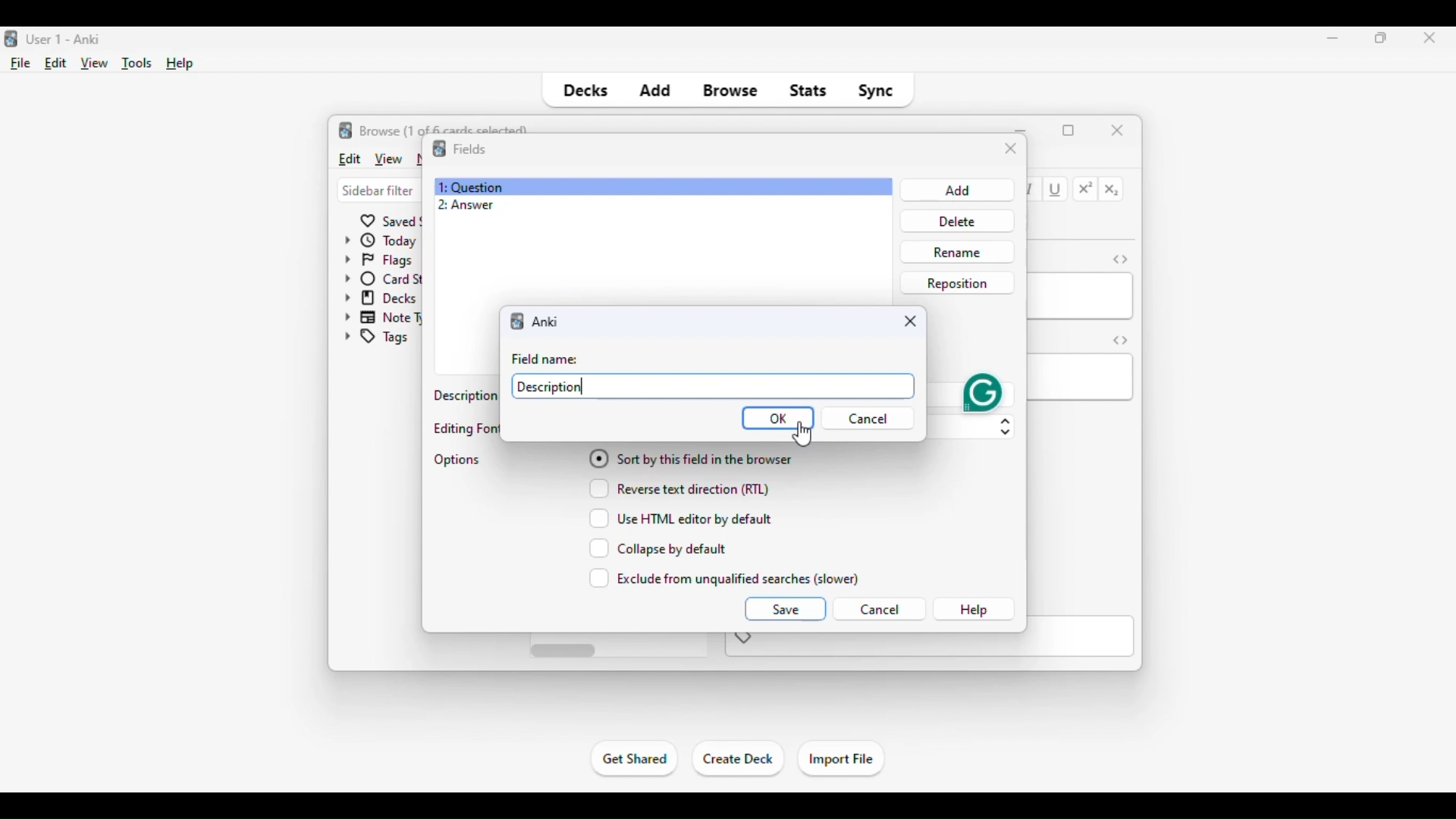  Describe the element at coordinates (690, 457) in the screenshot. I see `sort by this field in the browser` at that location.